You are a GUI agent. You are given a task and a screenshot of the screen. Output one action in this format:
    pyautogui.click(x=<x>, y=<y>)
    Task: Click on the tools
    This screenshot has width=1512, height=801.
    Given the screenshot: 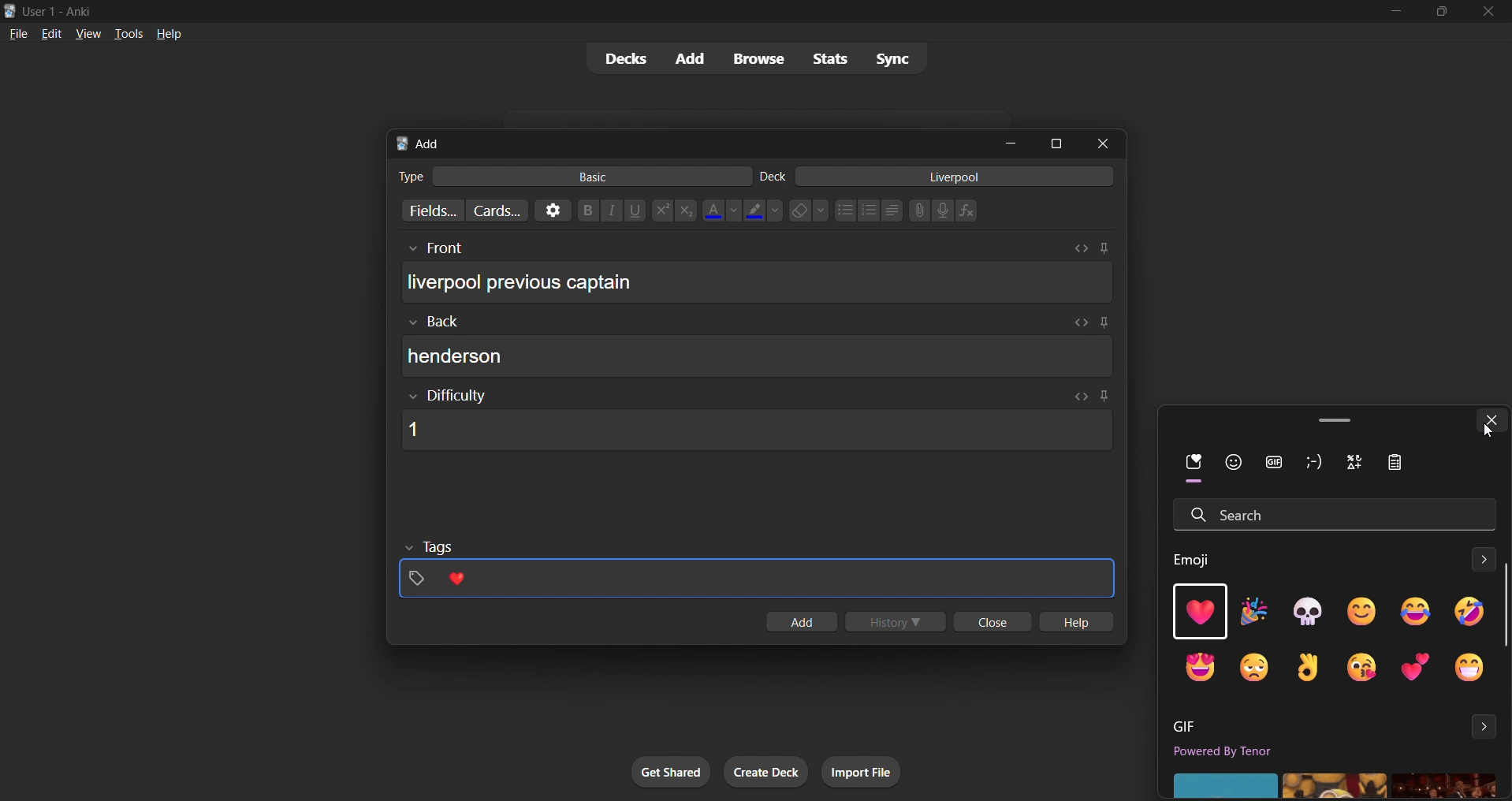 What is the action you would take?
    pyautogui.click(x=128, y=33)
    